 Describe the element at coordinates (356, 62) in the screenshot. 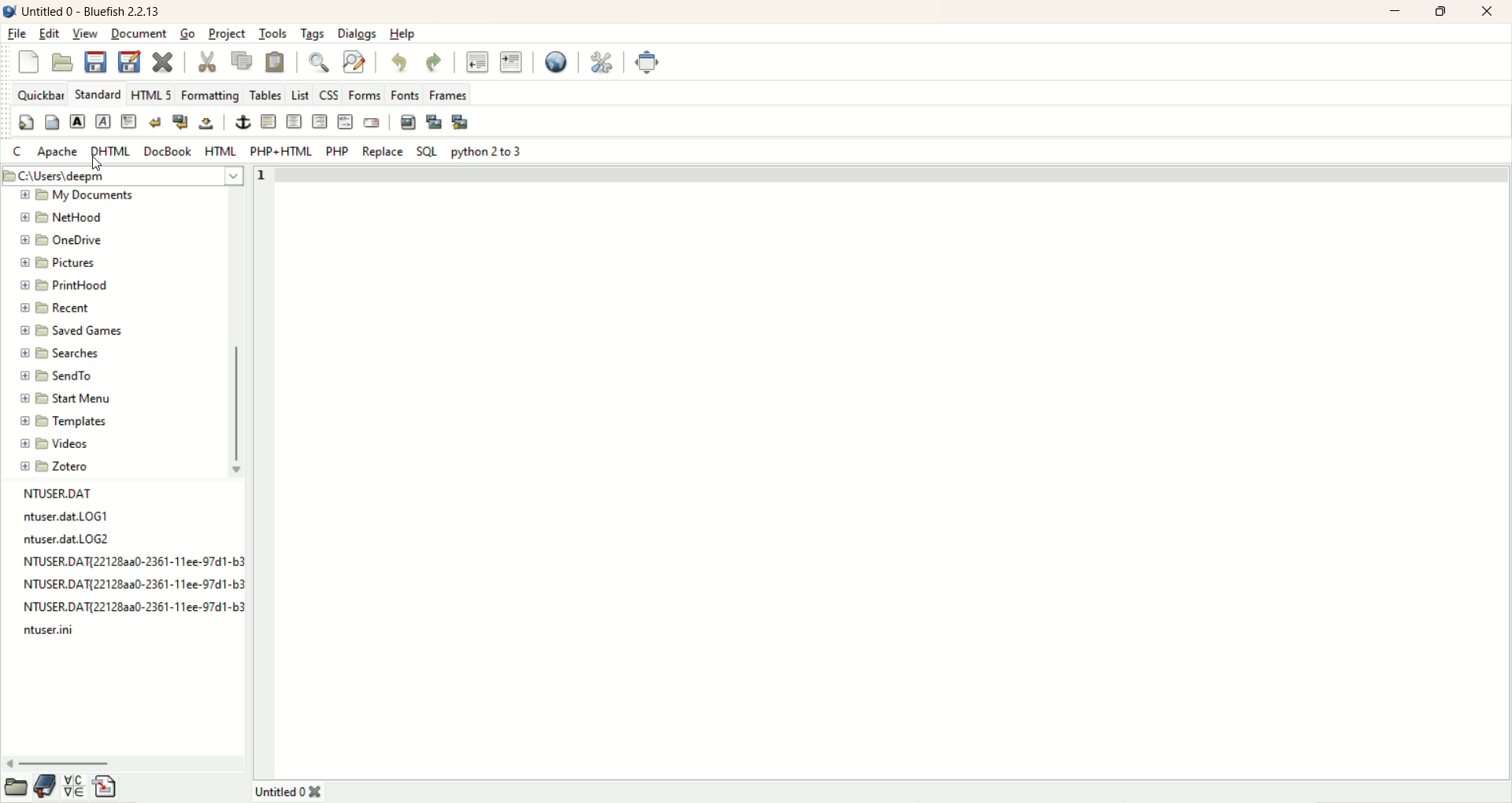

I see `advanced find and replace` at that location.